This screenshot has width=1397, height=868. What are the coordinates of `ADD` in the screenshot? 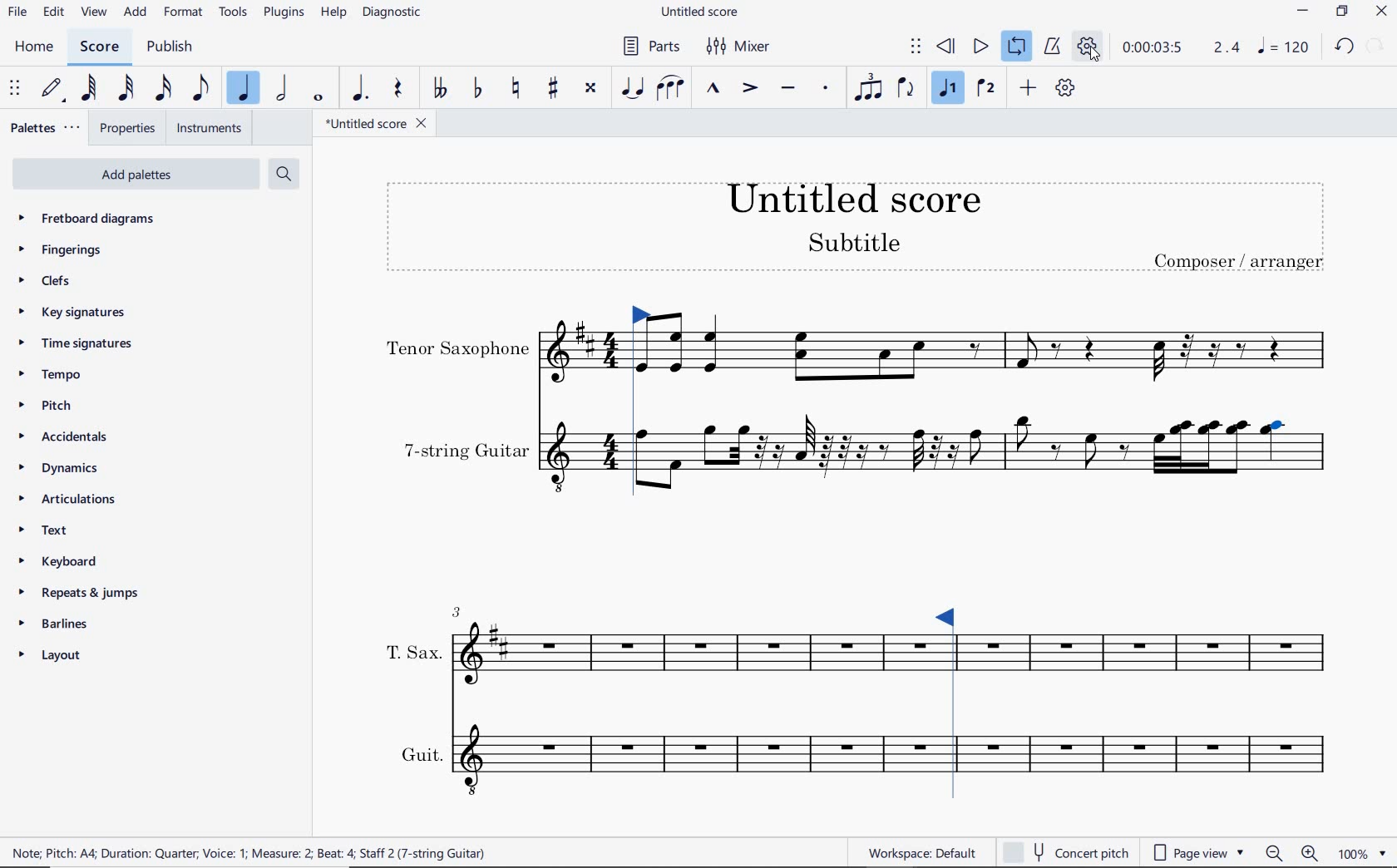 It's located at (1026, 90).